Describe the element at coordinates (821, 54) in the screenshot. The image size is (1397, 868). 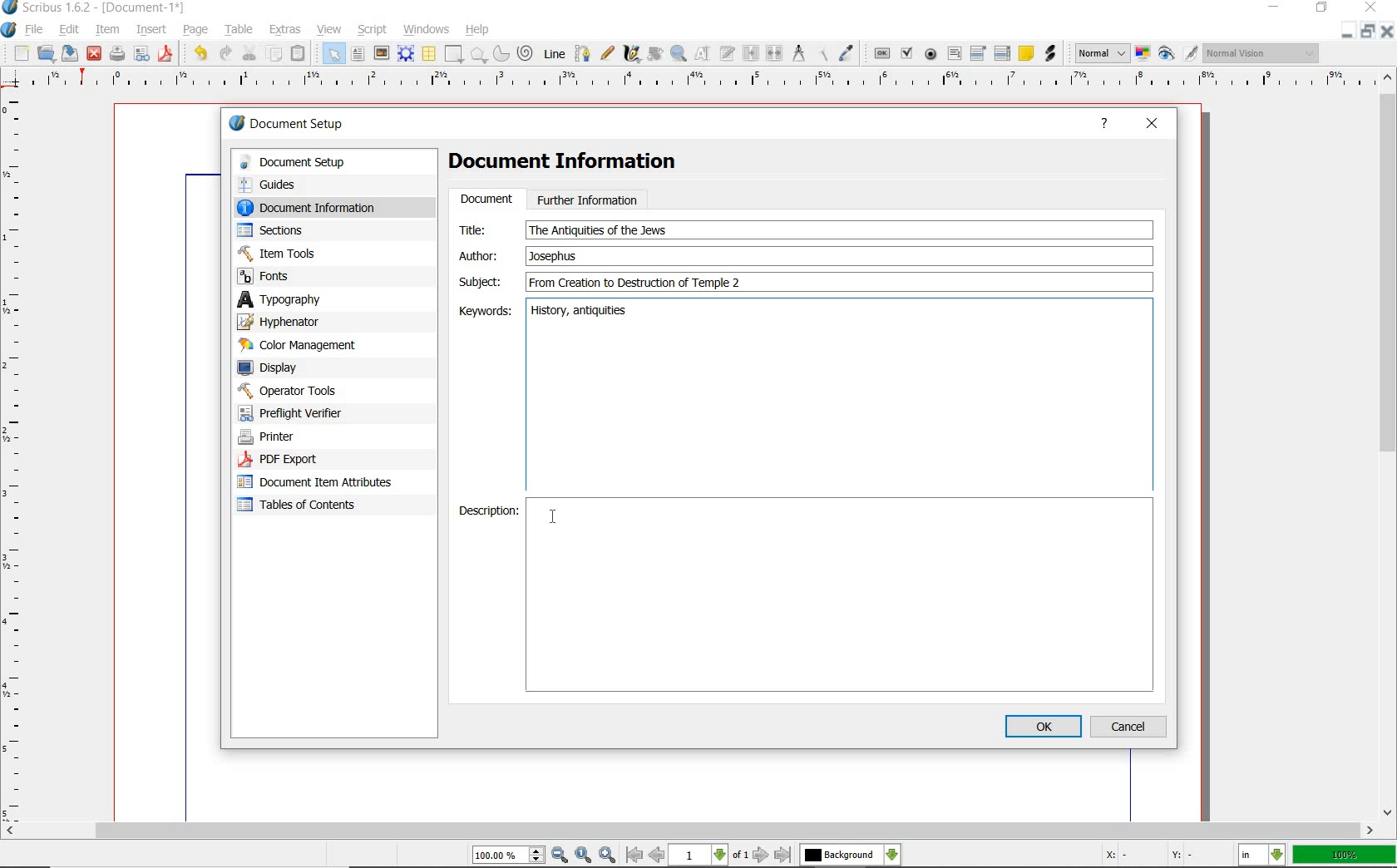
I see `copy item properties` at that location.